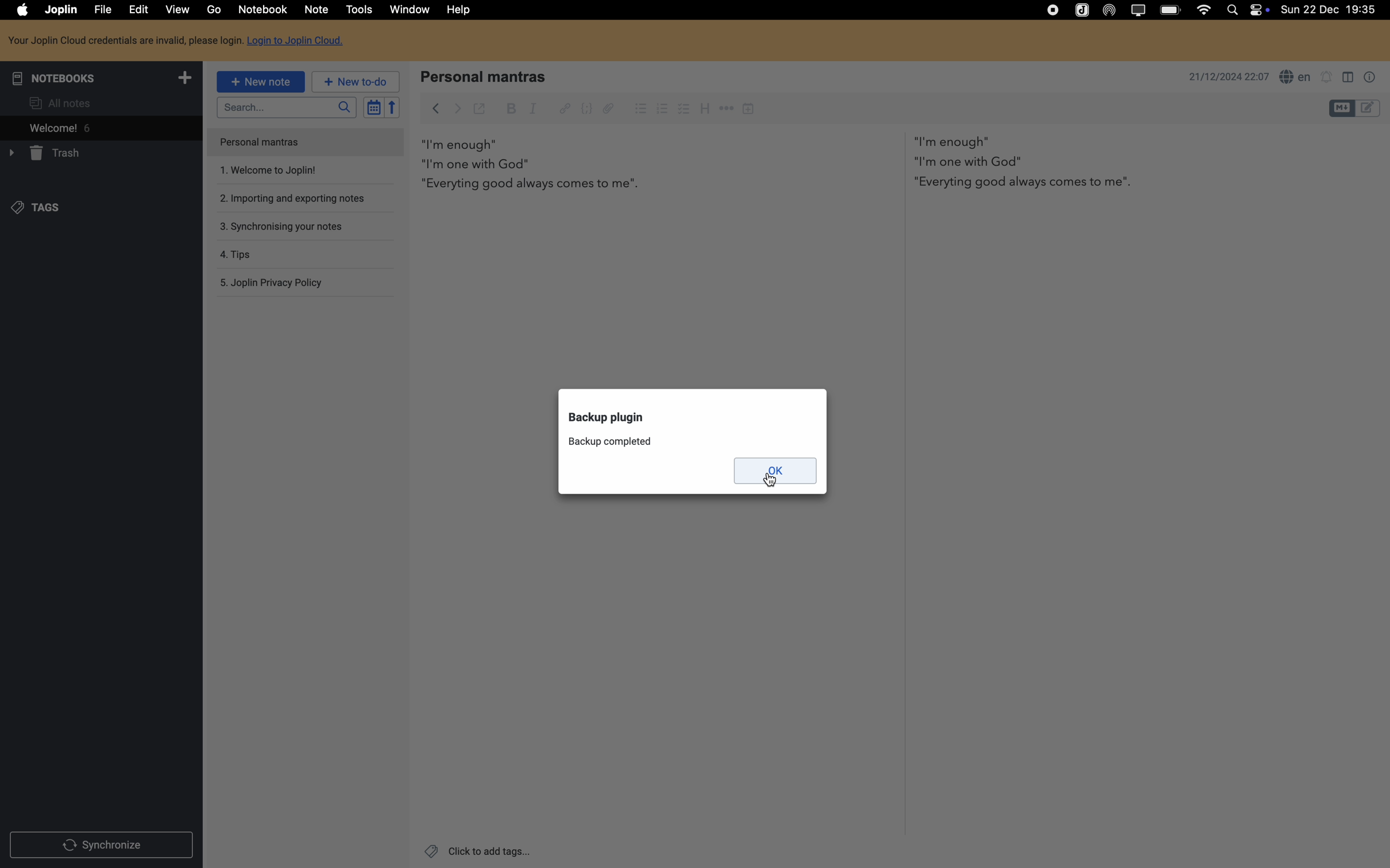  I want to click on click on create backup, so click(441, 108).